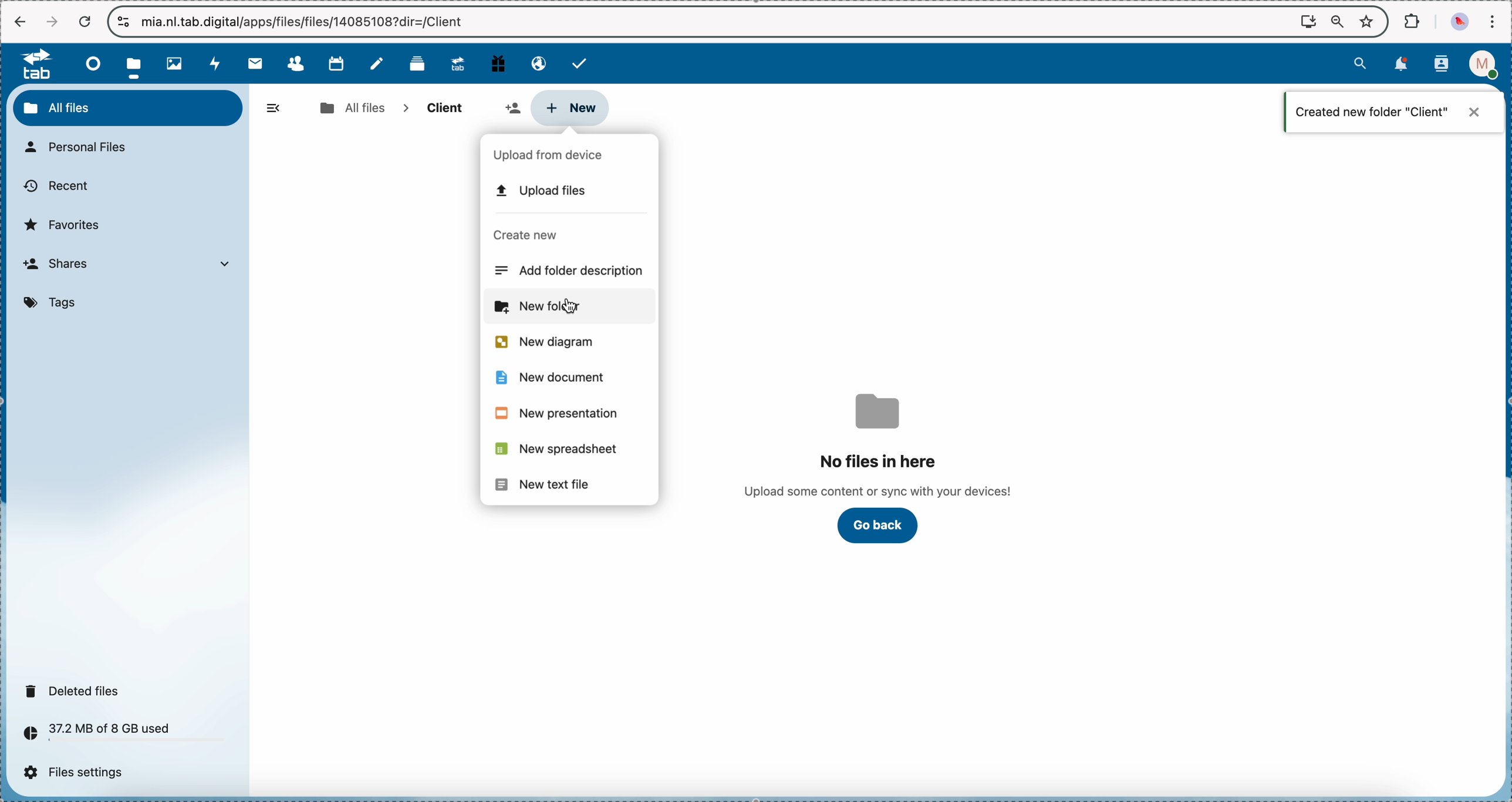 This screenshot has height=802, width=1512. What do you see at coordinates (443, 109) in the screenshot?
I see `client` at bounding box center [443, 109].